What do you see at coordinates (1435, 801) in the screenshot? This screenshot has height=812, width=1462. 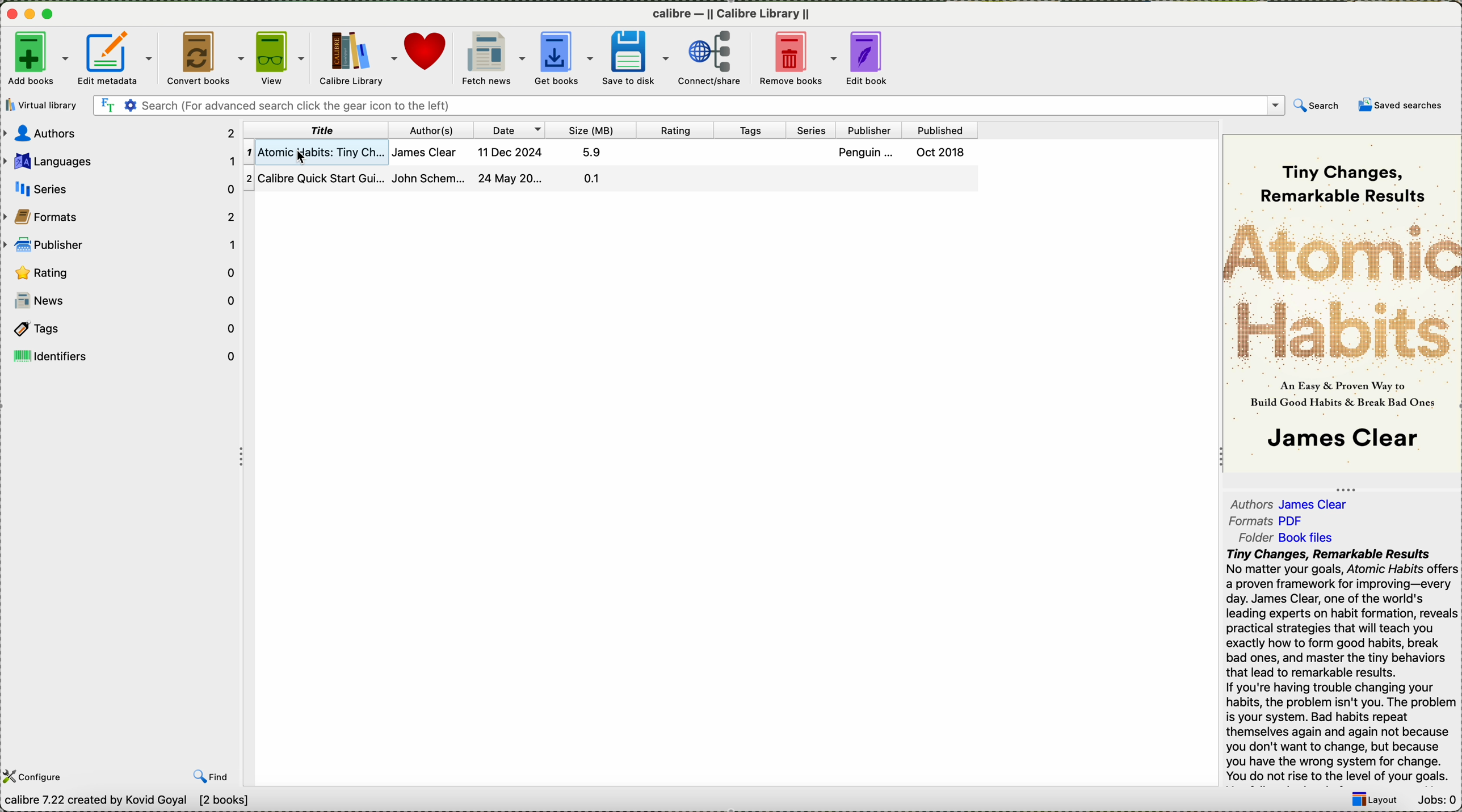 I see `Jobs: 0` at bounding box center [1435, 801].